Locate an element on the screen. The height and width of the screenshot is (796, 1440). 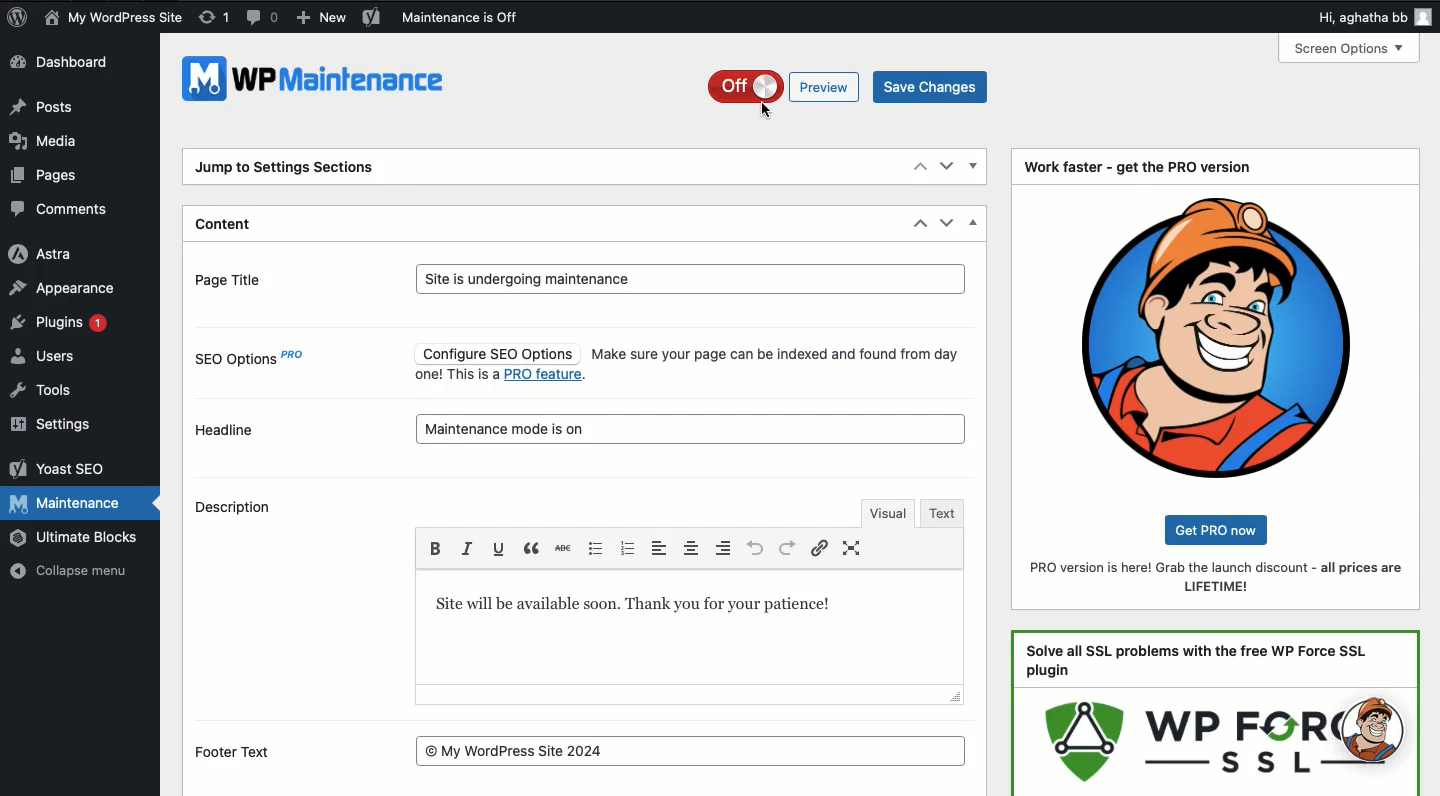
Posts is located at coordinates (42, 105).